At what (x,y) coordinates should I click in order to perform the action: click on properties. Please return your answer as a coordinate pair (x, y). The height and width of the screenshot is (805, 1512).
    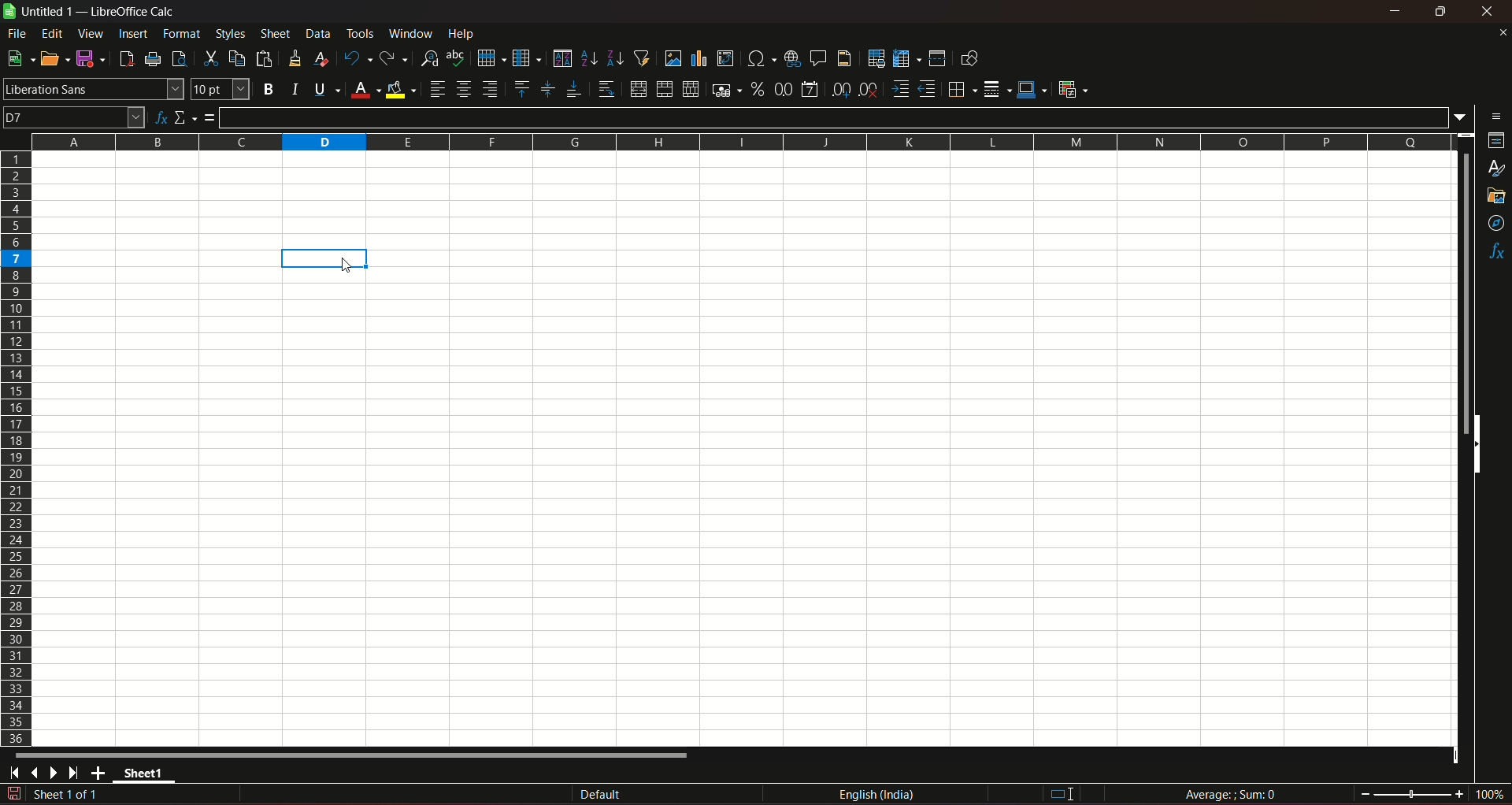
    Looking at the image, I should click on (1496, 142).